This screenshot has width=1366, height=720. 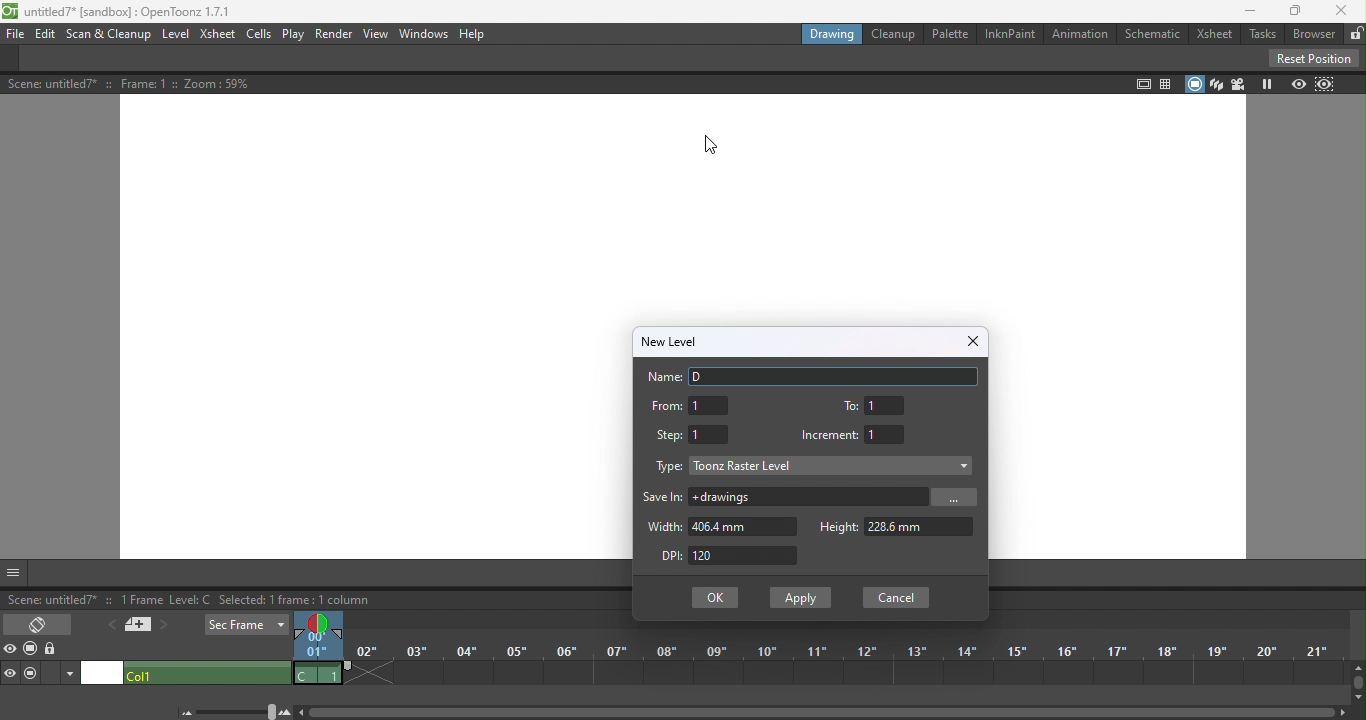 What do you see at coordinates (11, 12) in the screenshot?
I see `logo` at bounding box center [11, 12].